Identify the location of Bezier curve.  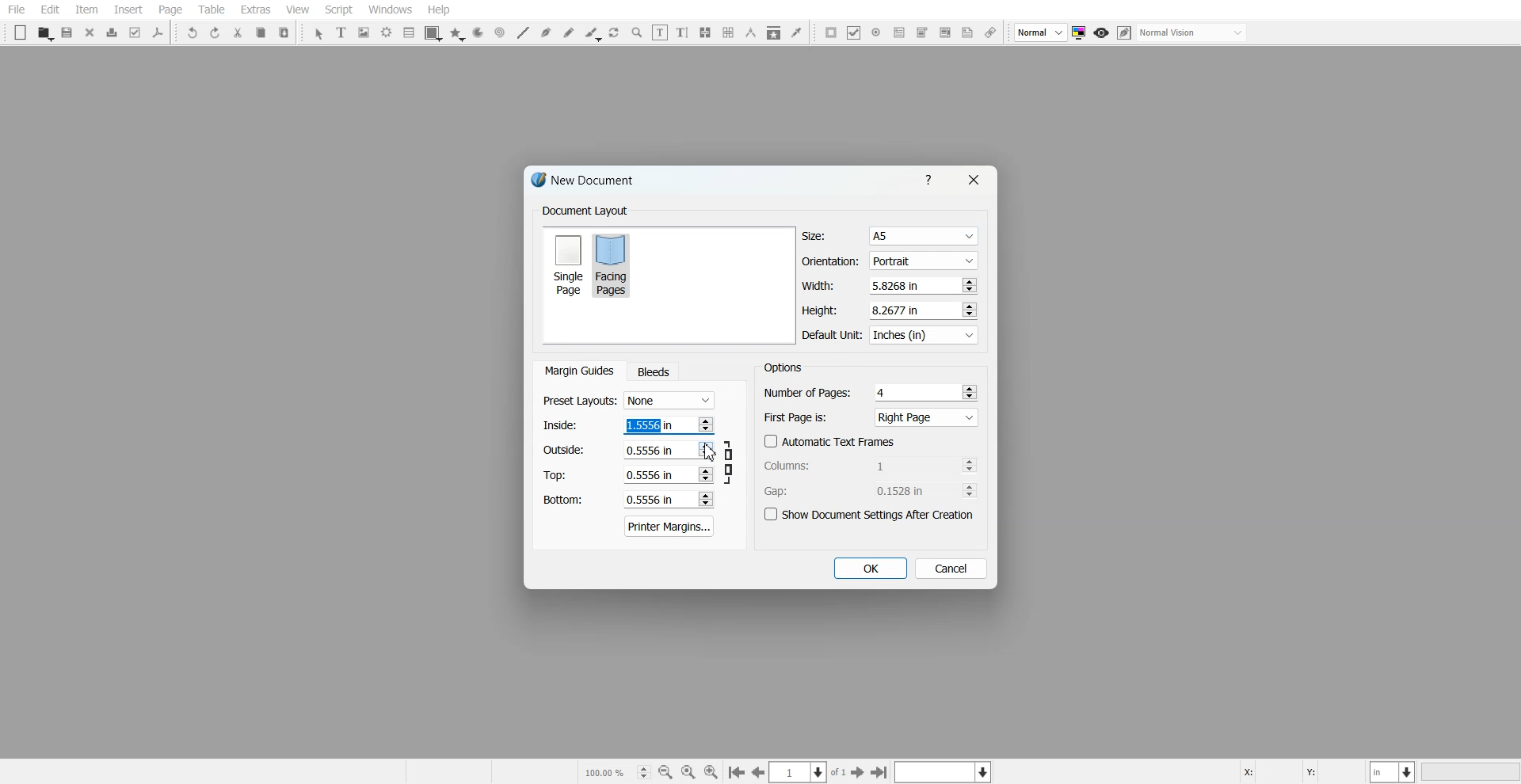
(546, 32).